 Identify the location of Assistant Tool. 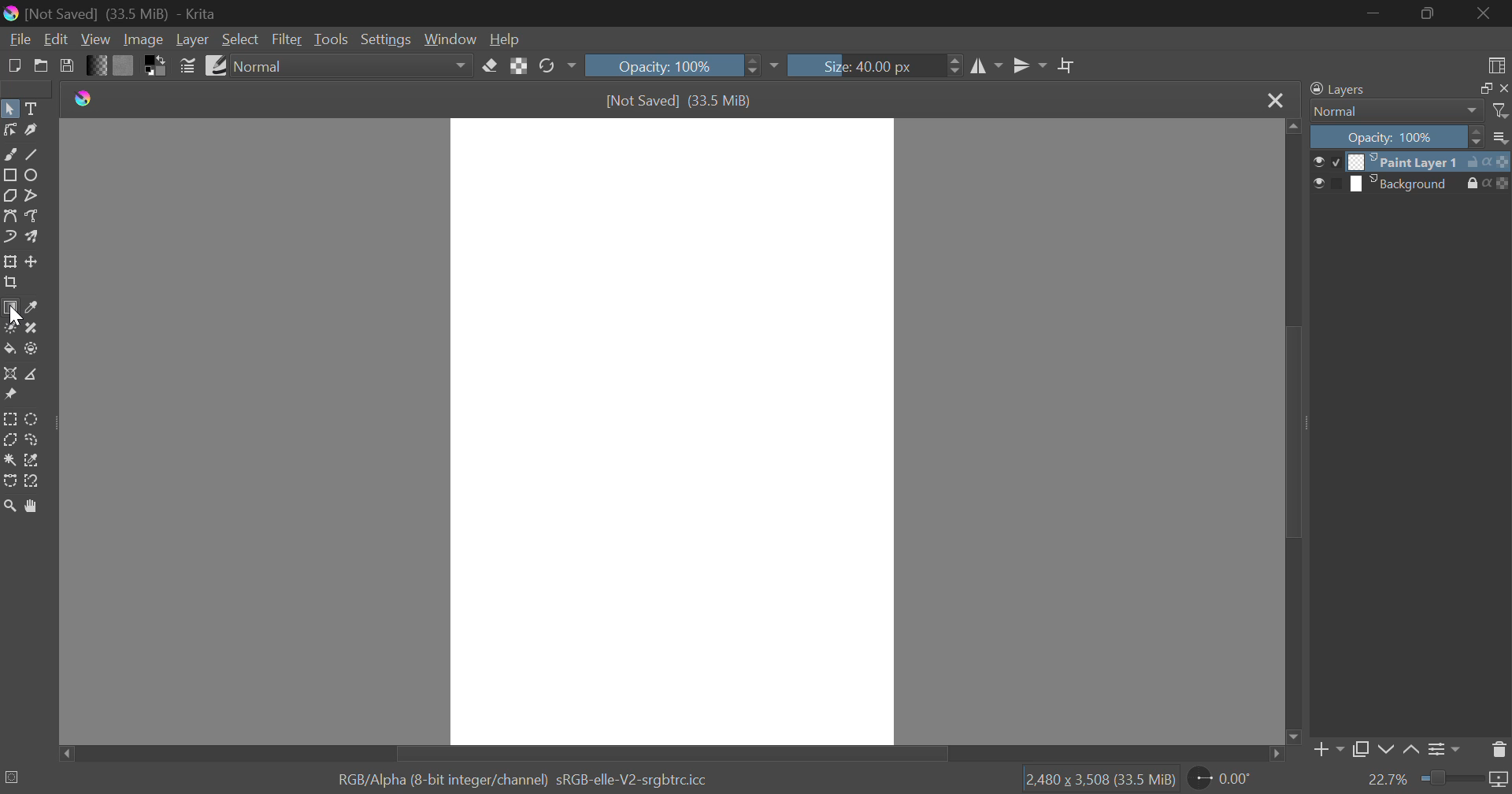
(10, 375).